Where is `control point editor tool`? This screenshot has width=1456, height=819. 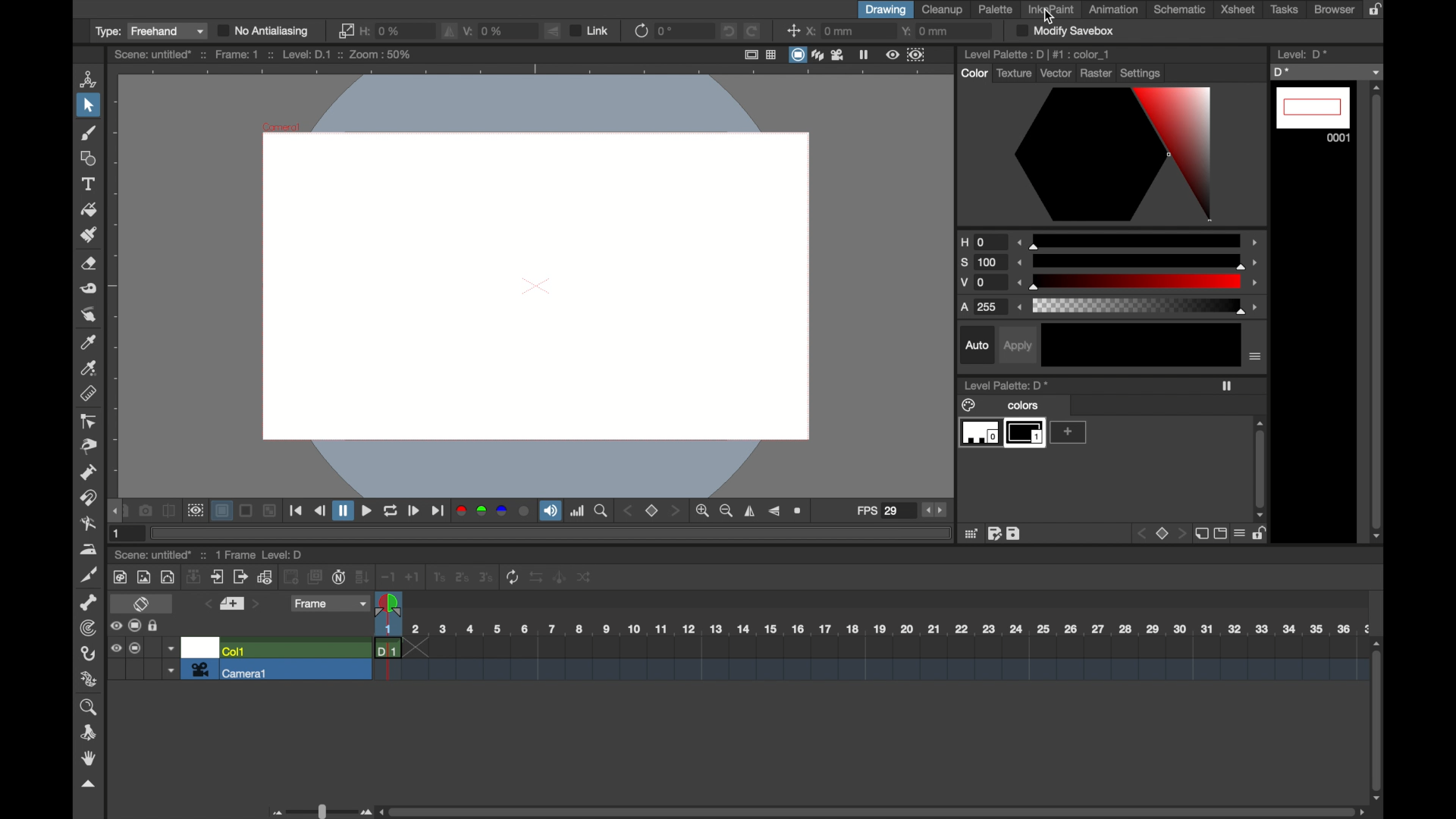
control point editor tool is located at coordinates (87, 421).